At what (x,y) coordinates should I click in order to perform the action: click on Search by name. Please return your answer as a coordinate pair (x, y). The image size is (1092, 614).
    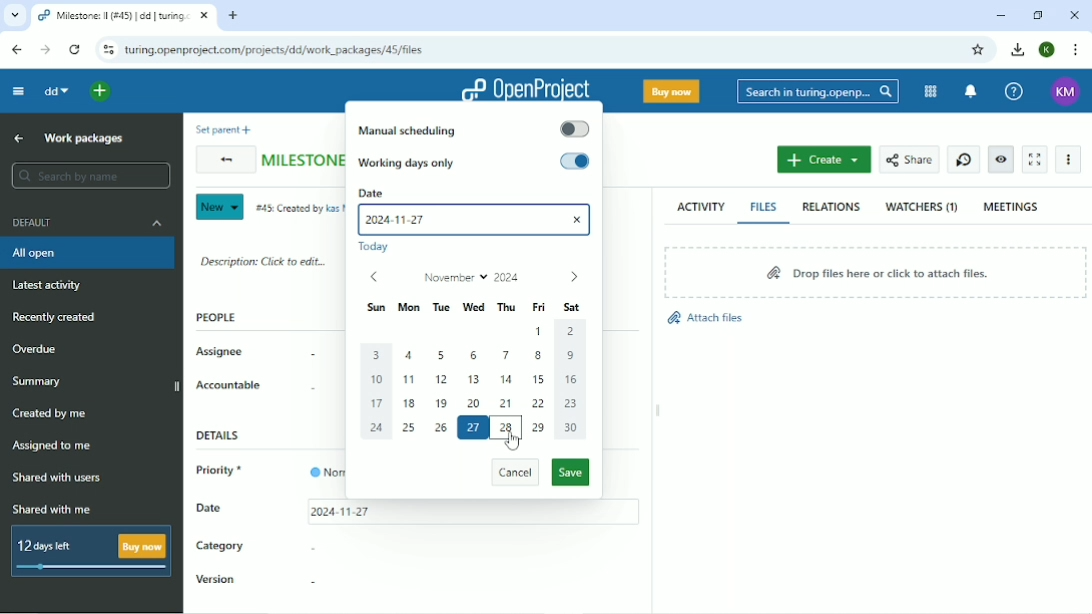
    Looking at the image, I should click on (90, 175).